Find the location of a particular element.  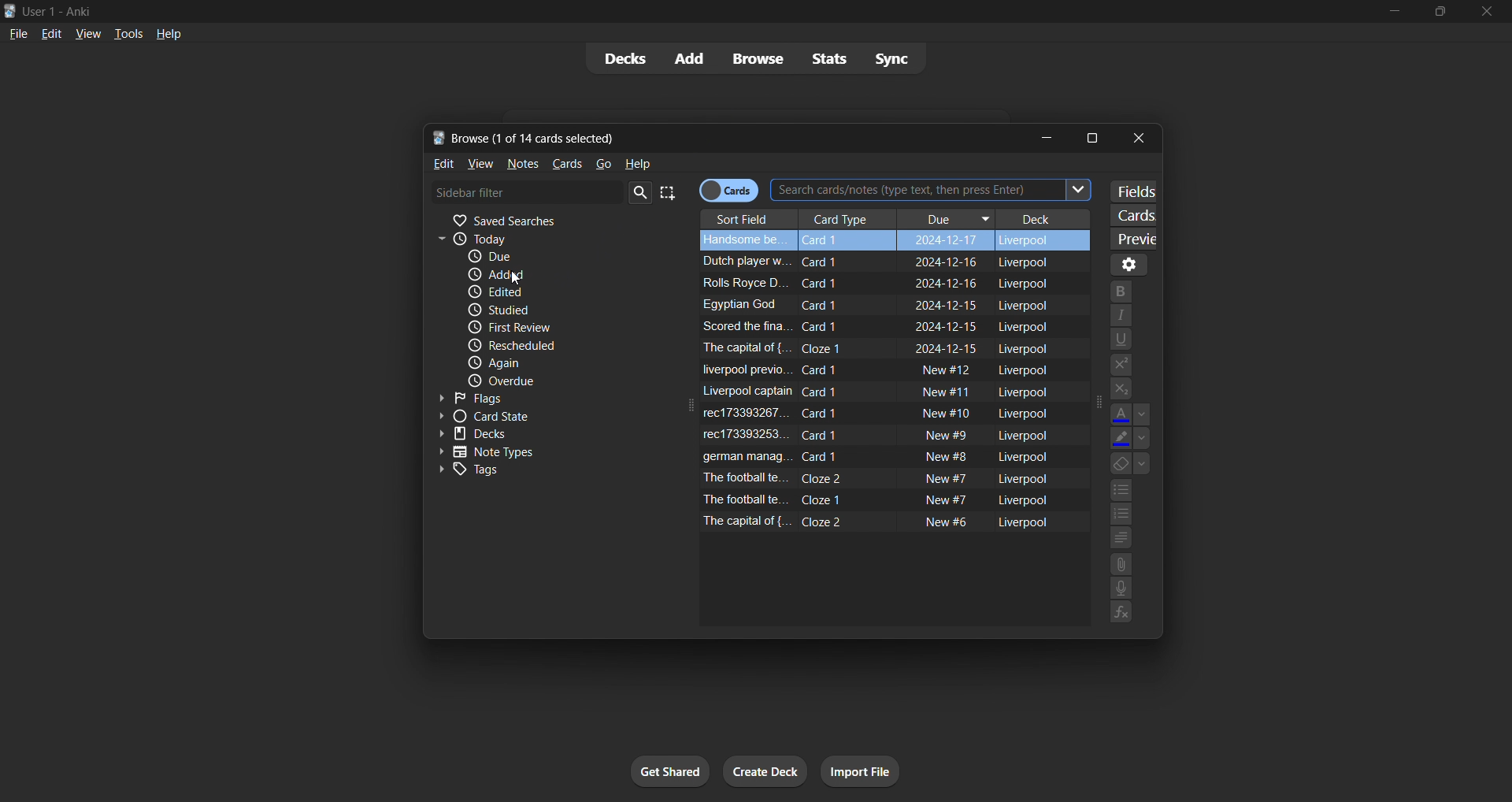

minimize is located at coordinates (1045, 136).